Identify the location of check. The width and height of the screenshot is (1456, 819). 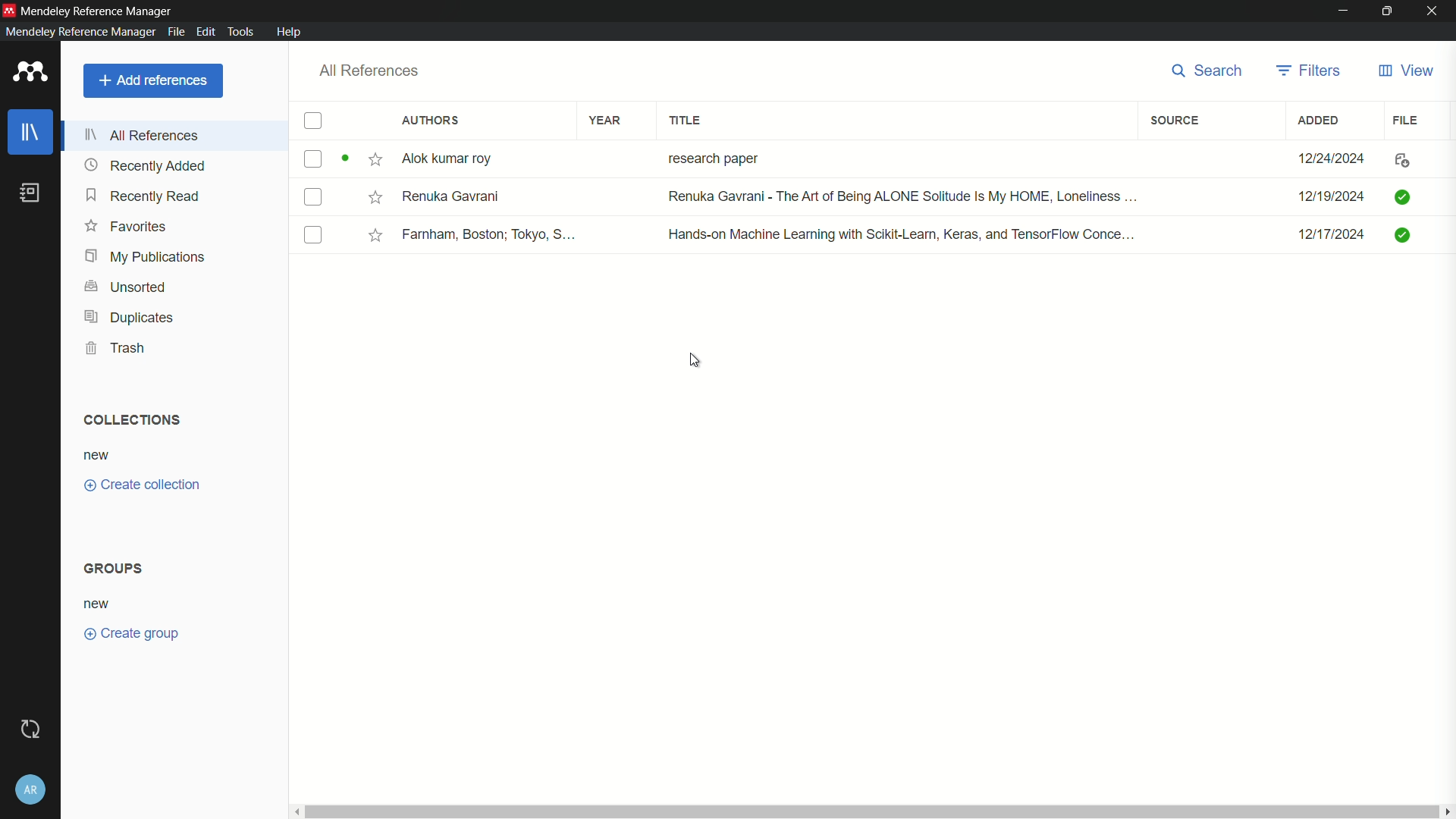
(311, 197).